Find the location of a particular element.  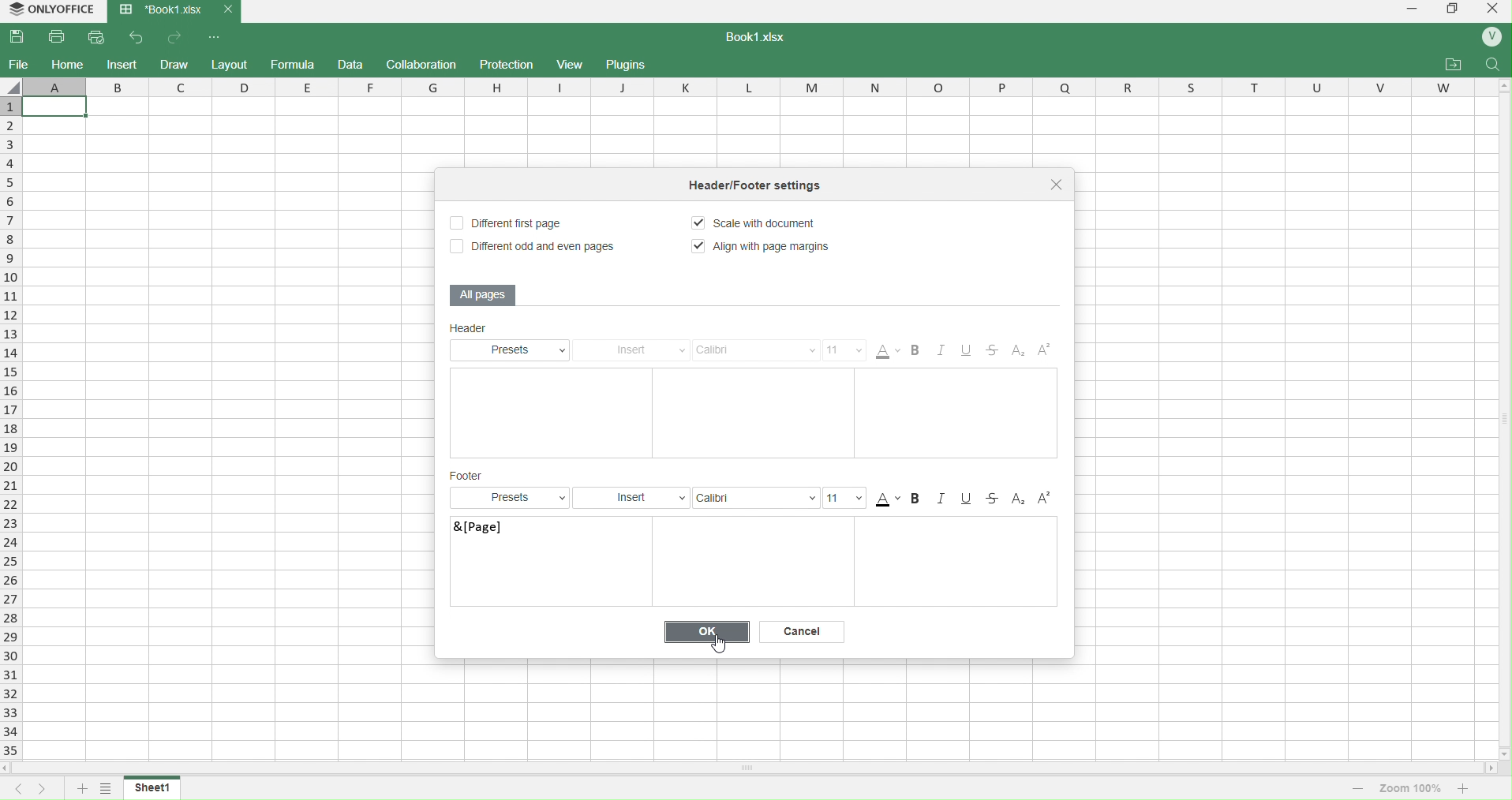

book1.xlsx is located at coordinates (764, 39).